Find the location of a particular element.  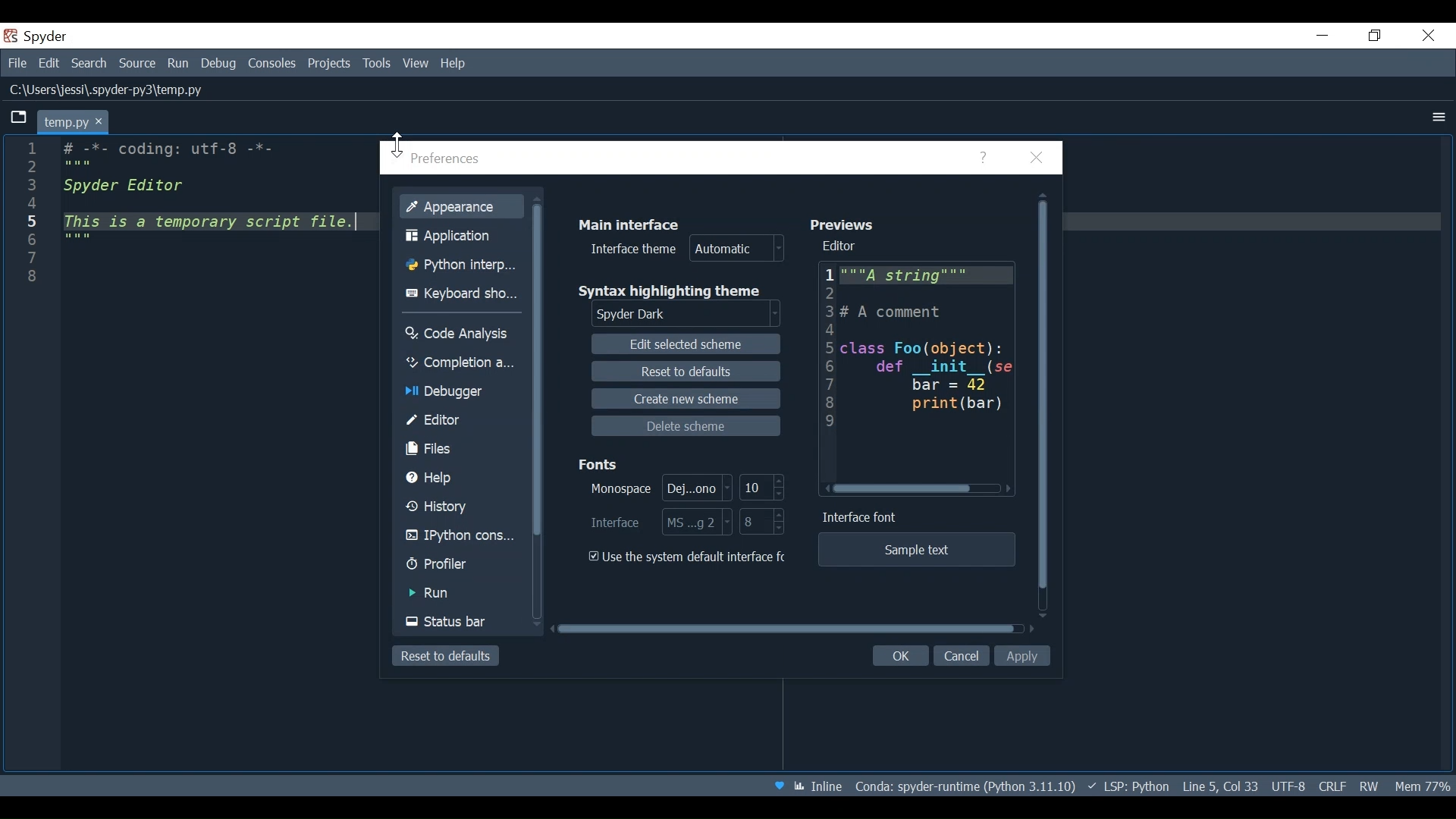

Apply  is located at coordinates (1023, 657).